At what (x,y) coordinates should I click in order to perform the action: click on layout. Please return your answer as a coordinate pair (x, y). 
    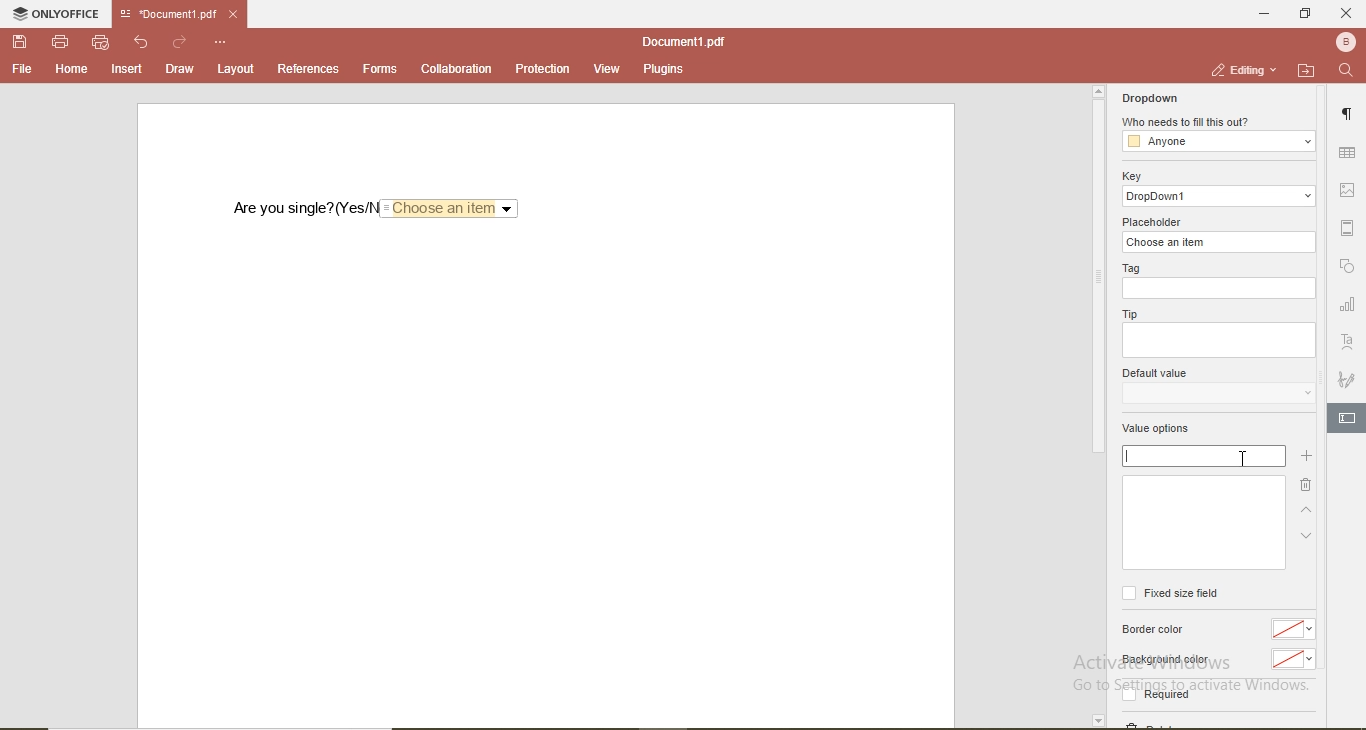
    Looking at the image, I should click on (233, 69).